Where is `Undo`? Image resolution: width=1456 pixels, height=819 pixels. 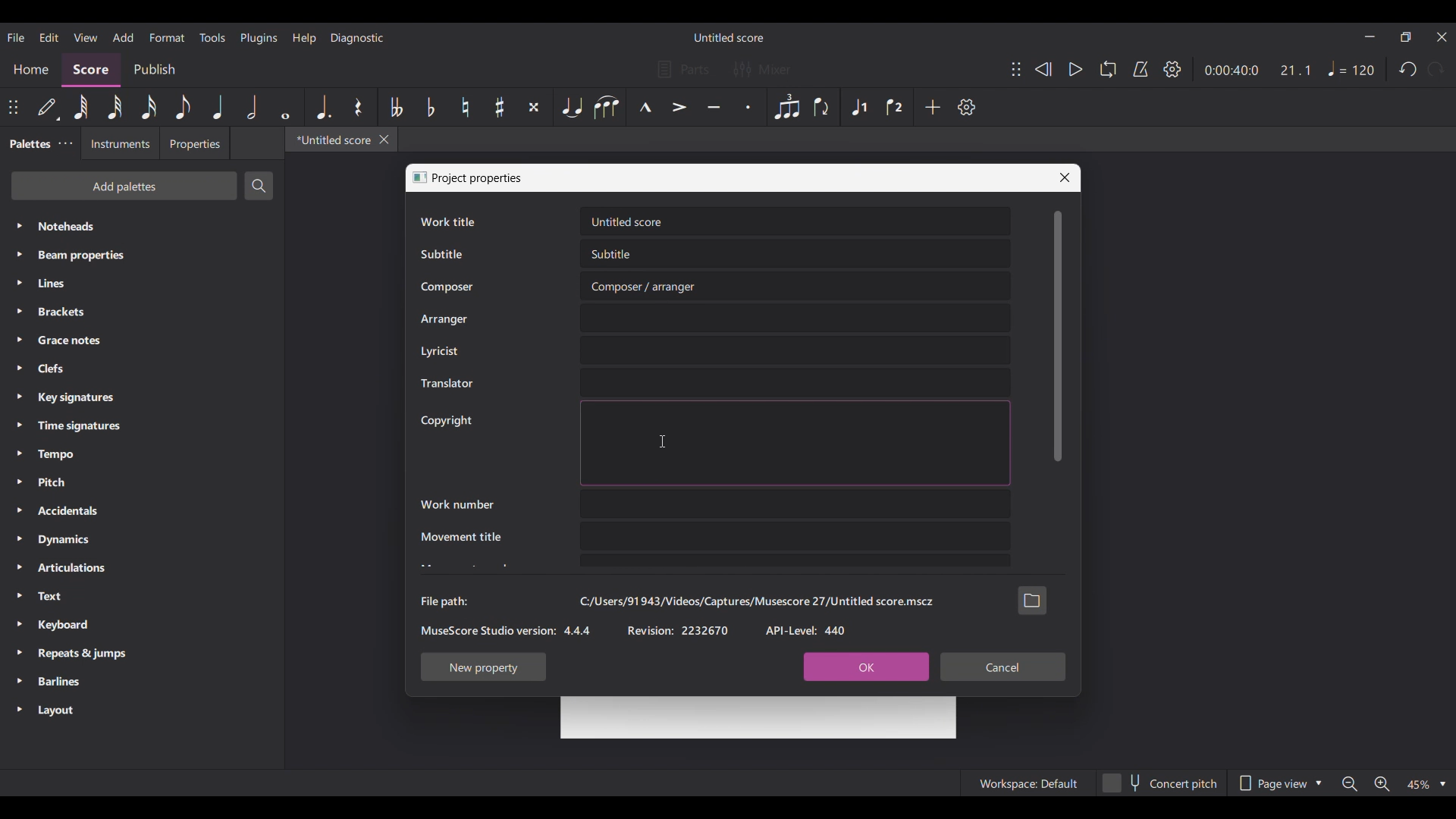 Undo is located at coordinates (1407, 69).